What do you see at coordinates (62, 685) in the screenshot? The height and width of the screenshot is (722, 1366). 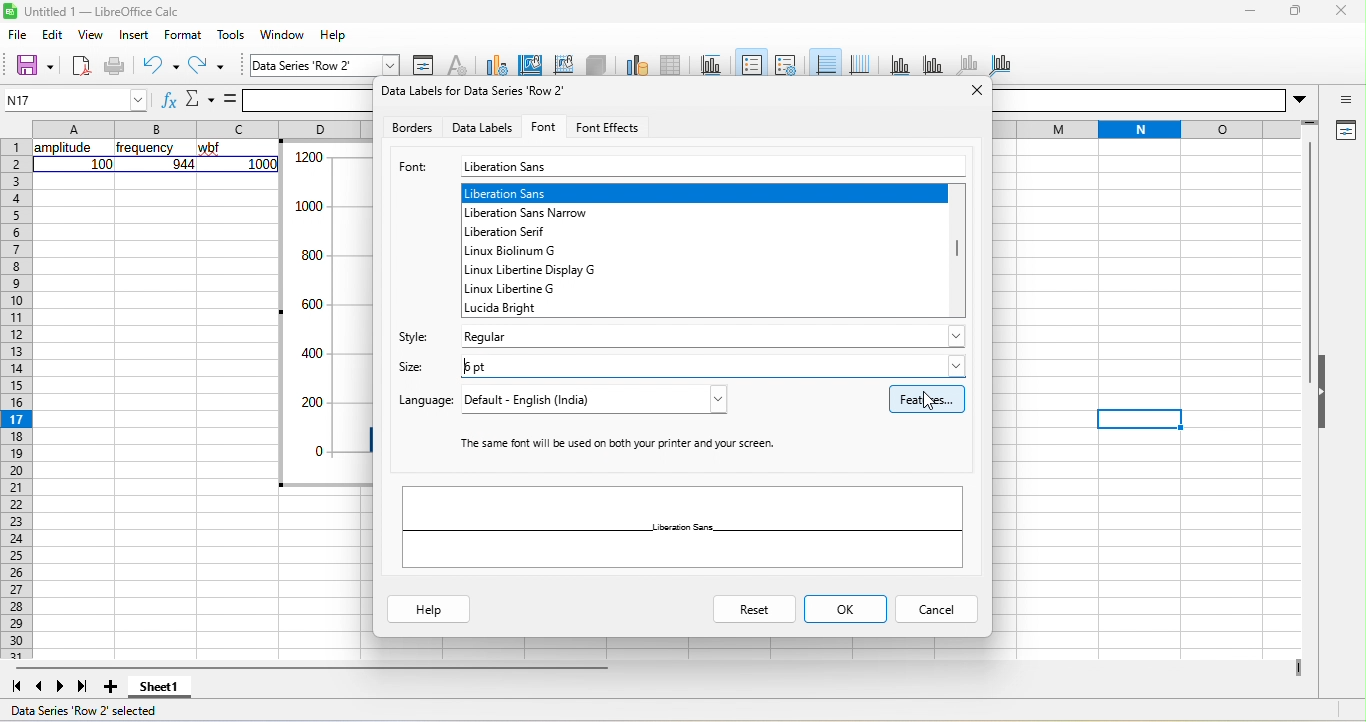 I see `next sheet` at bounding box center [62, 685].